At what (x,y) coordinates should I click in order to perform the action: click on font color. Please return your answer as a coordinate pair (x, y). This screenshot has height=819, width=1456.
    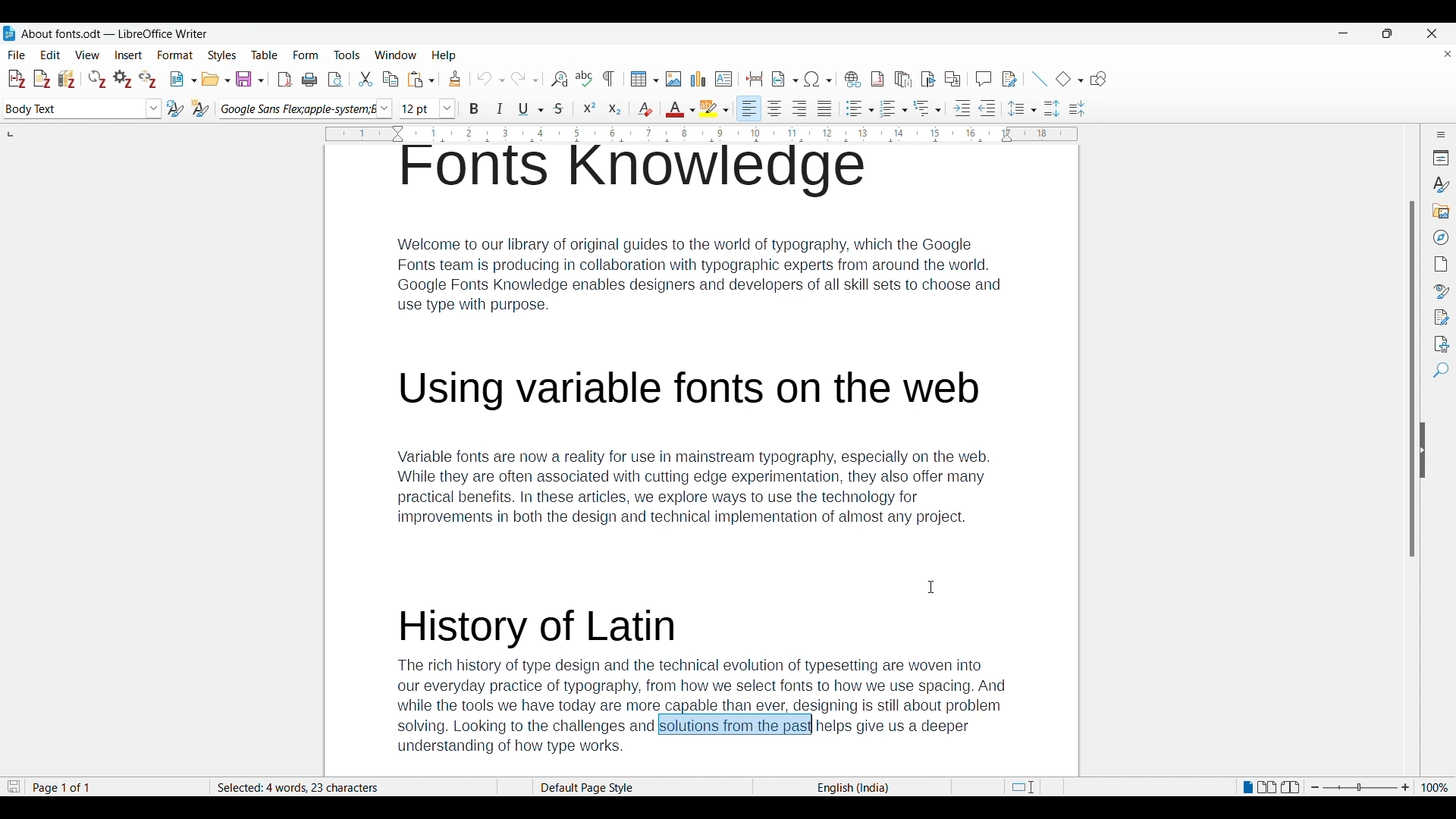
    Looking at the image, I should click on (679, 110).